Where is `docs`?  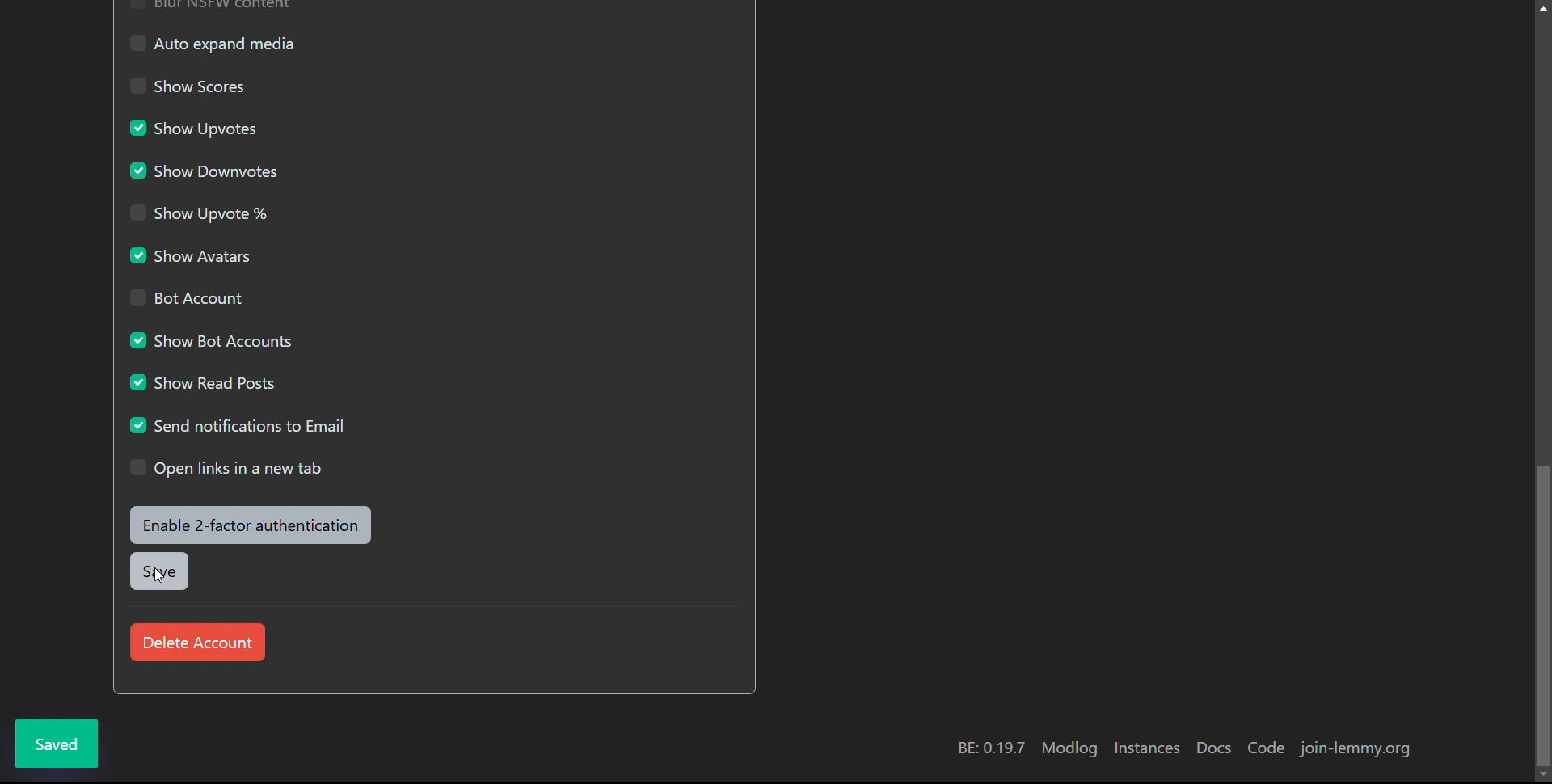 docs is located at coordinates (1212, 748).